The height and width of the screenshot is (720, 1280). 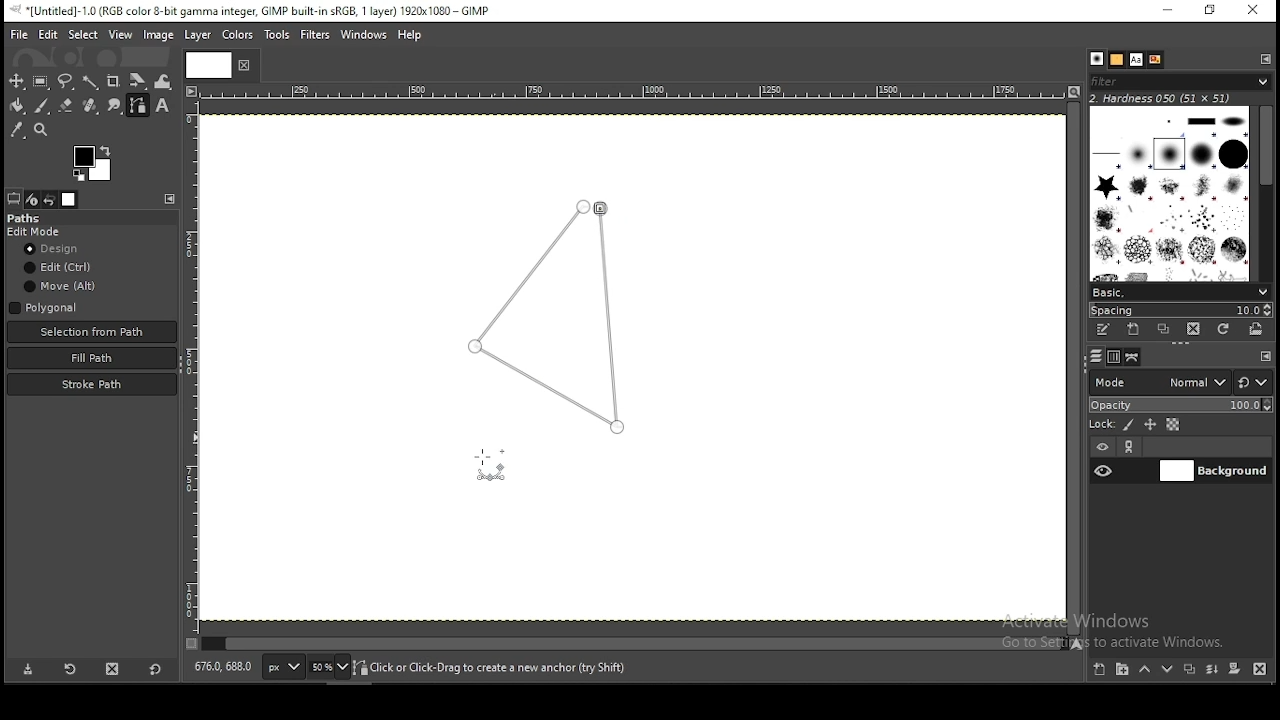 I want to click on tab, so click(x=211, y=65).